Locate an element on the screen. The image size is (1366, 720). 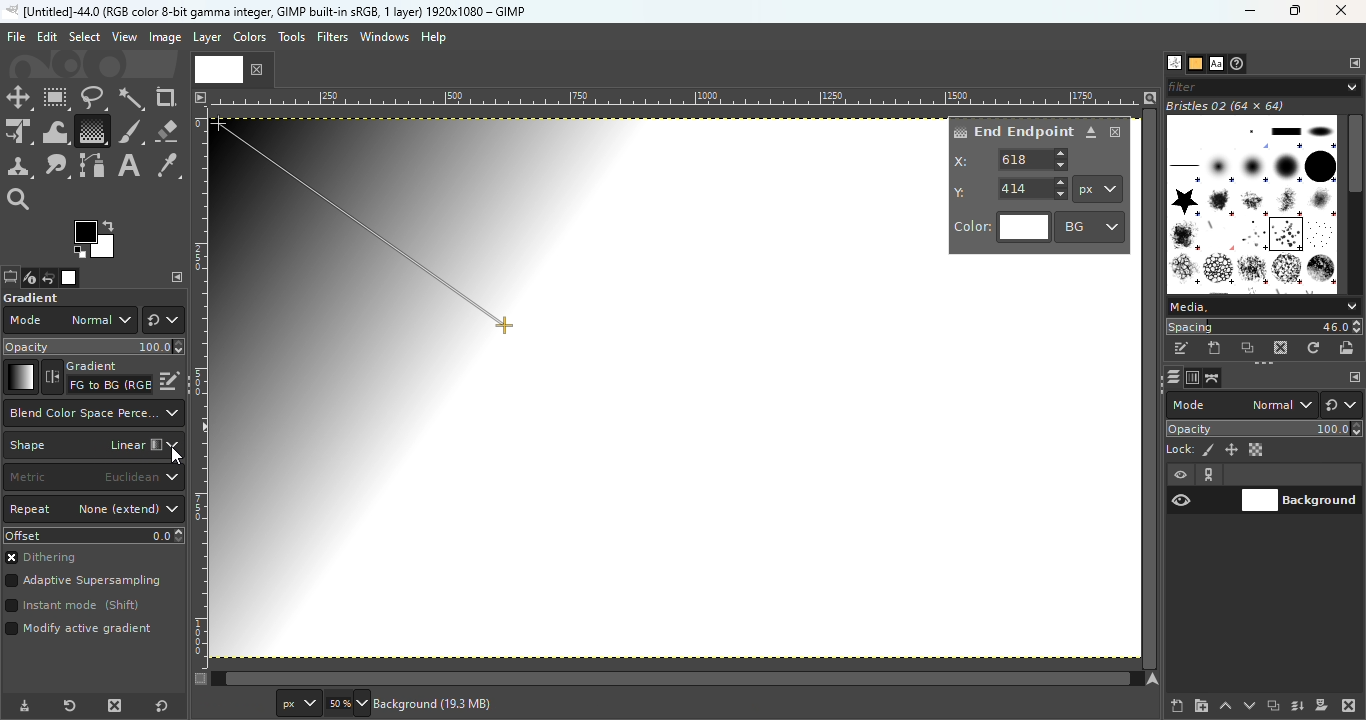
Reverse is located at coordinates (97, 377).